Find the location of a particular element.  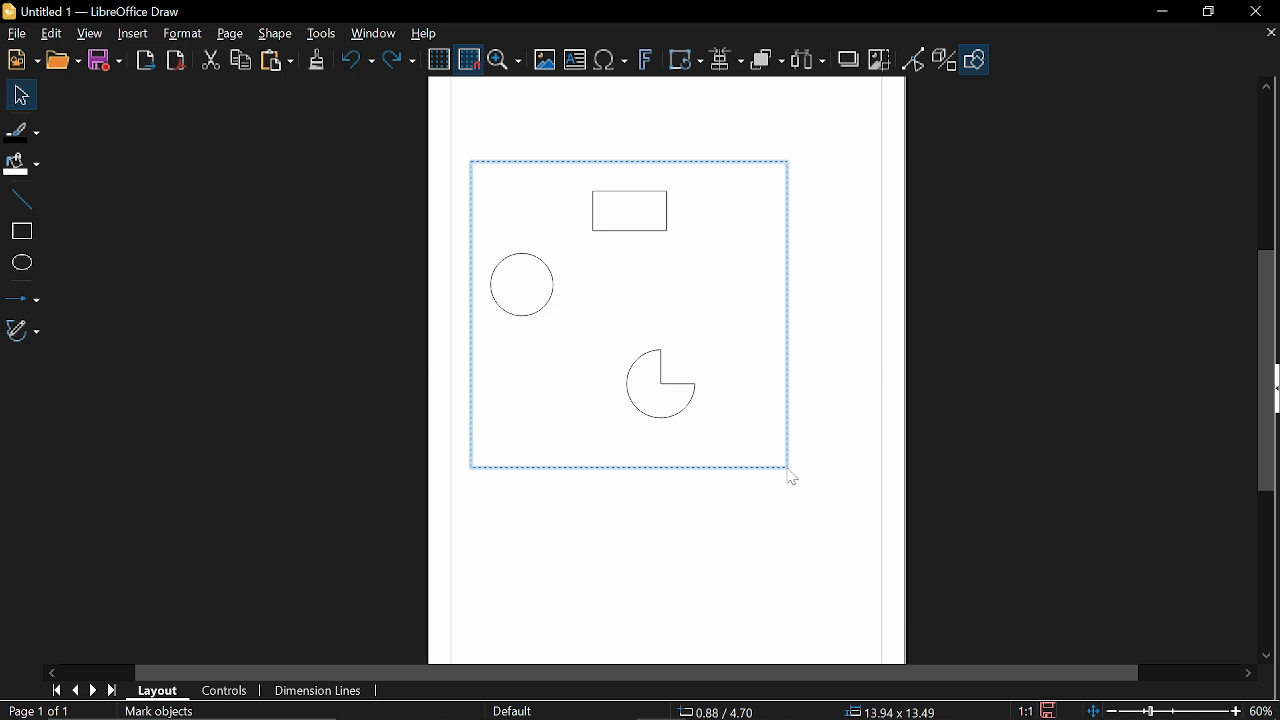

Insert text is located at coordinates (611, 61).